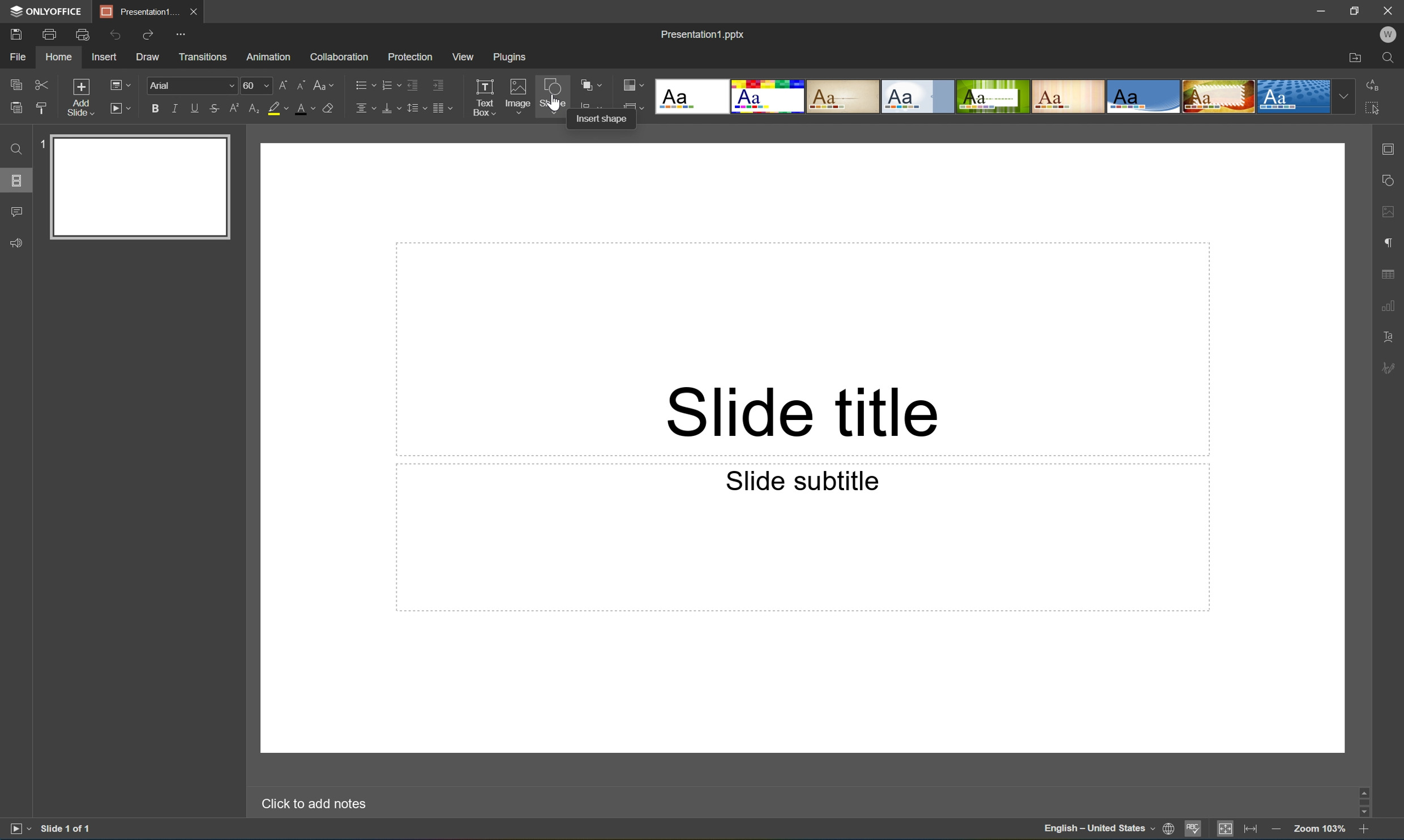 The width and height of the screenshot is (1404, 840). What do you see at coordinates (1388, 58) in the screenshot?
I see `Find` at bounding box center [1388, 58].